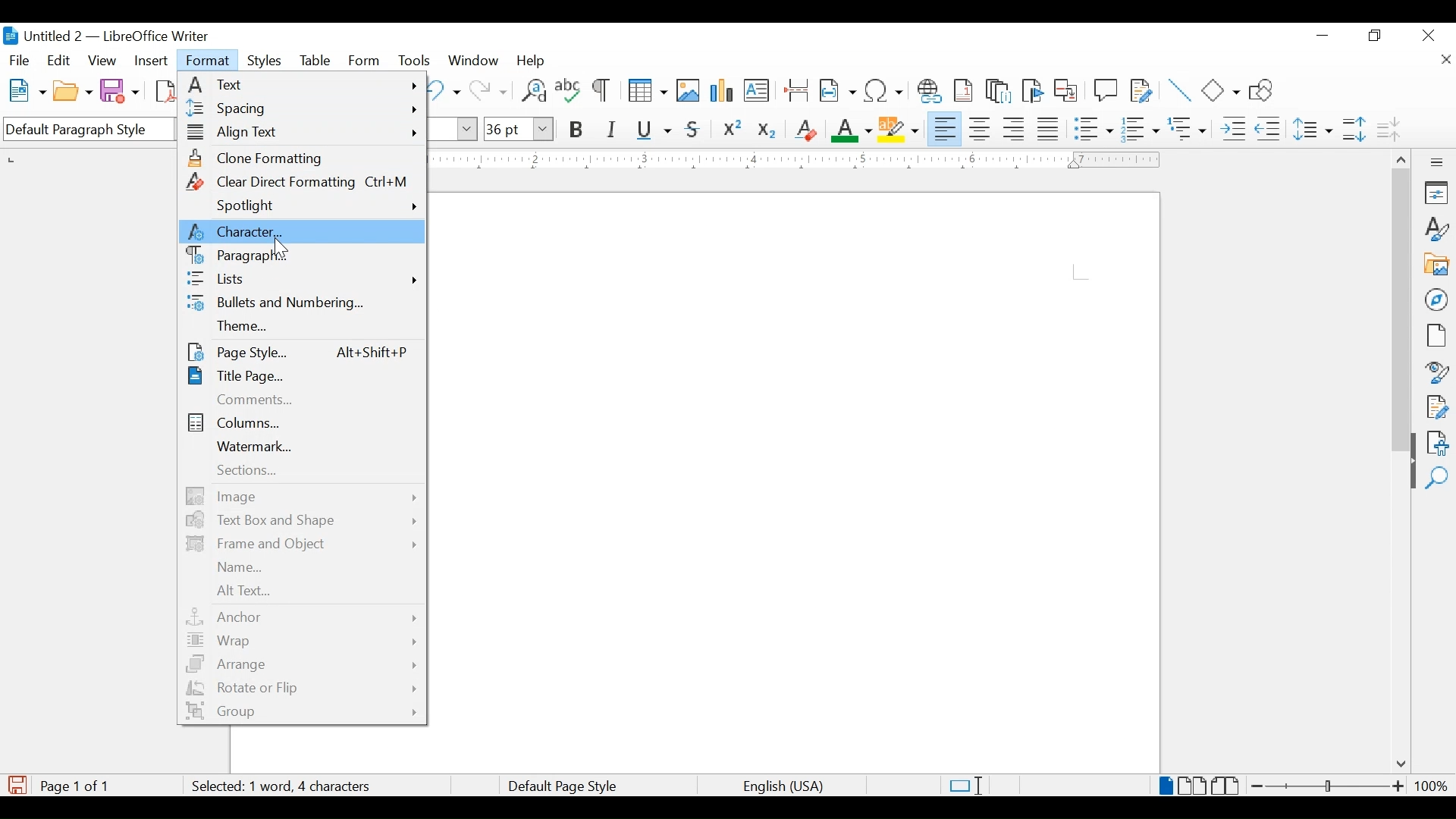 This screenshot has width=1456, height=819. What do you see at coordinates (1081, 272) in the screenshot?
I see `guides` at bounding box center [1081, 272].